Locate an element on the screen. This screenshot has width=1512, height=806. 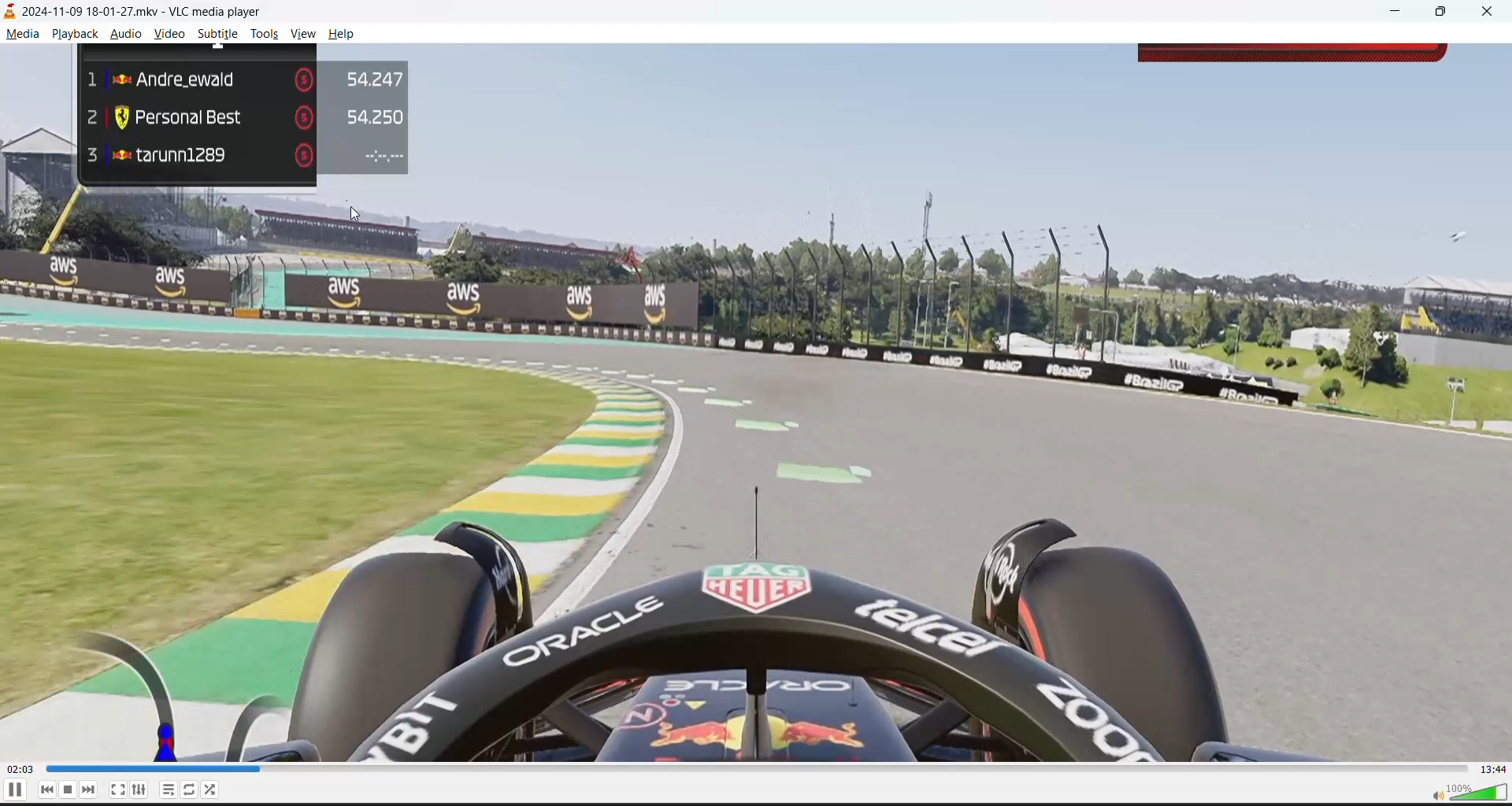
pause is located at coordinates (14, 789).